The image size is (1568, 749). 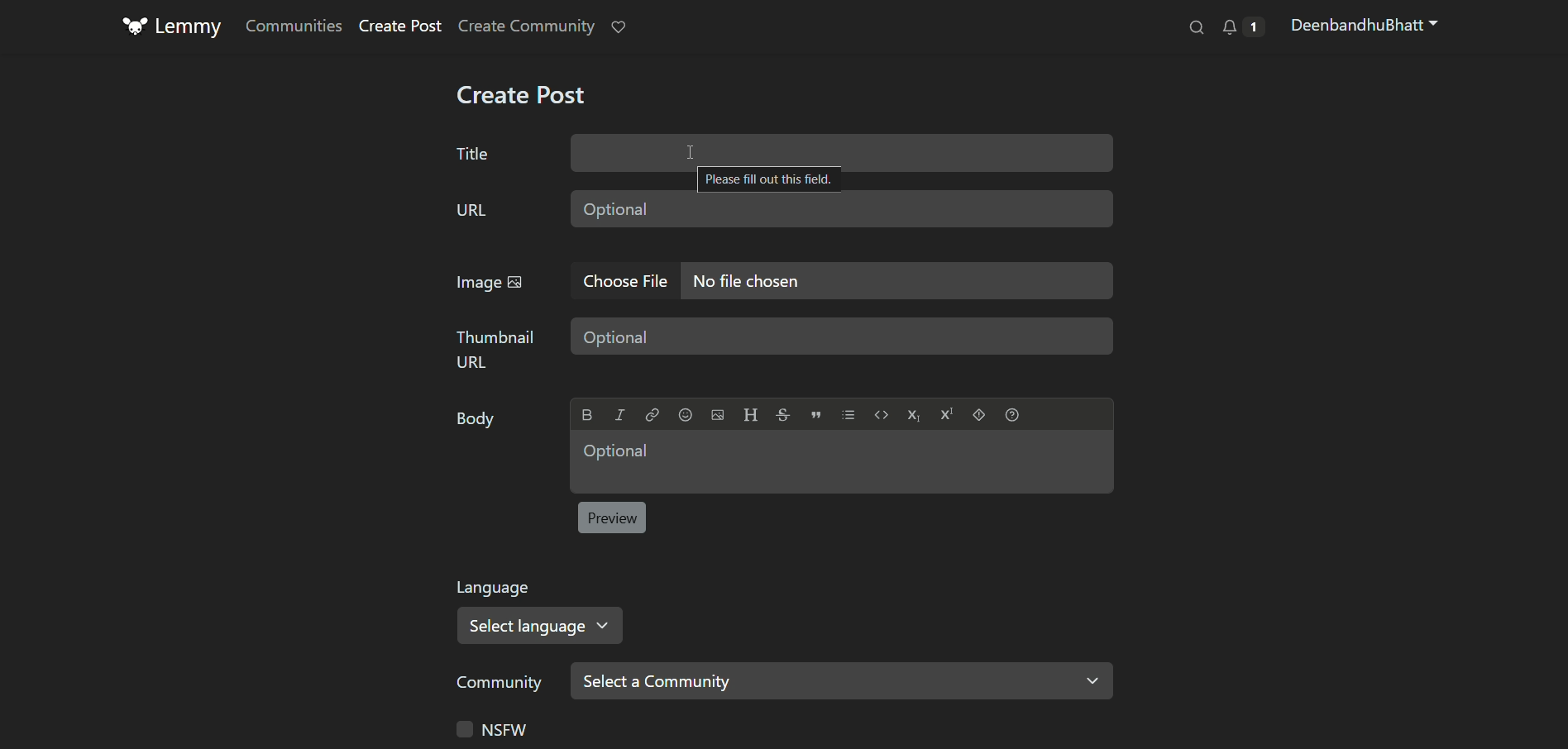 I want to click on thumbnail URL, so click(x=496, y=348).